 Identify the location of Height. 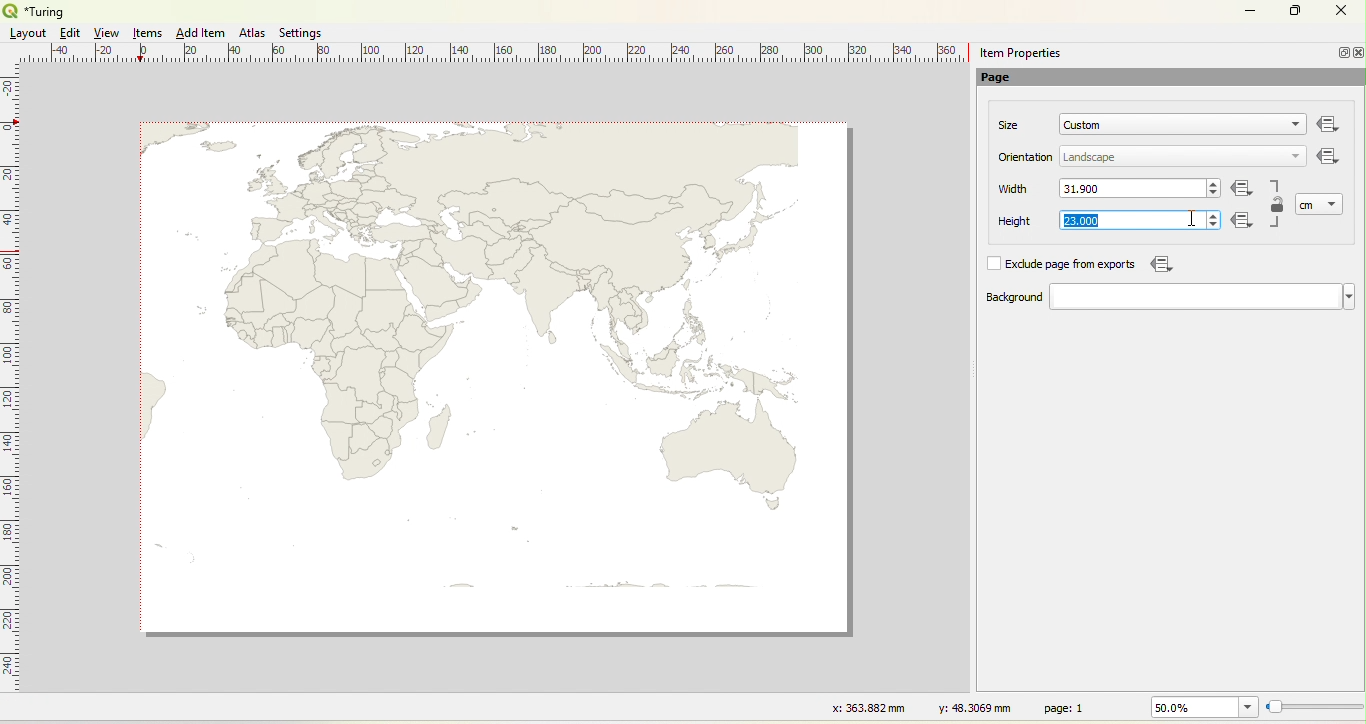
(1002, 222).